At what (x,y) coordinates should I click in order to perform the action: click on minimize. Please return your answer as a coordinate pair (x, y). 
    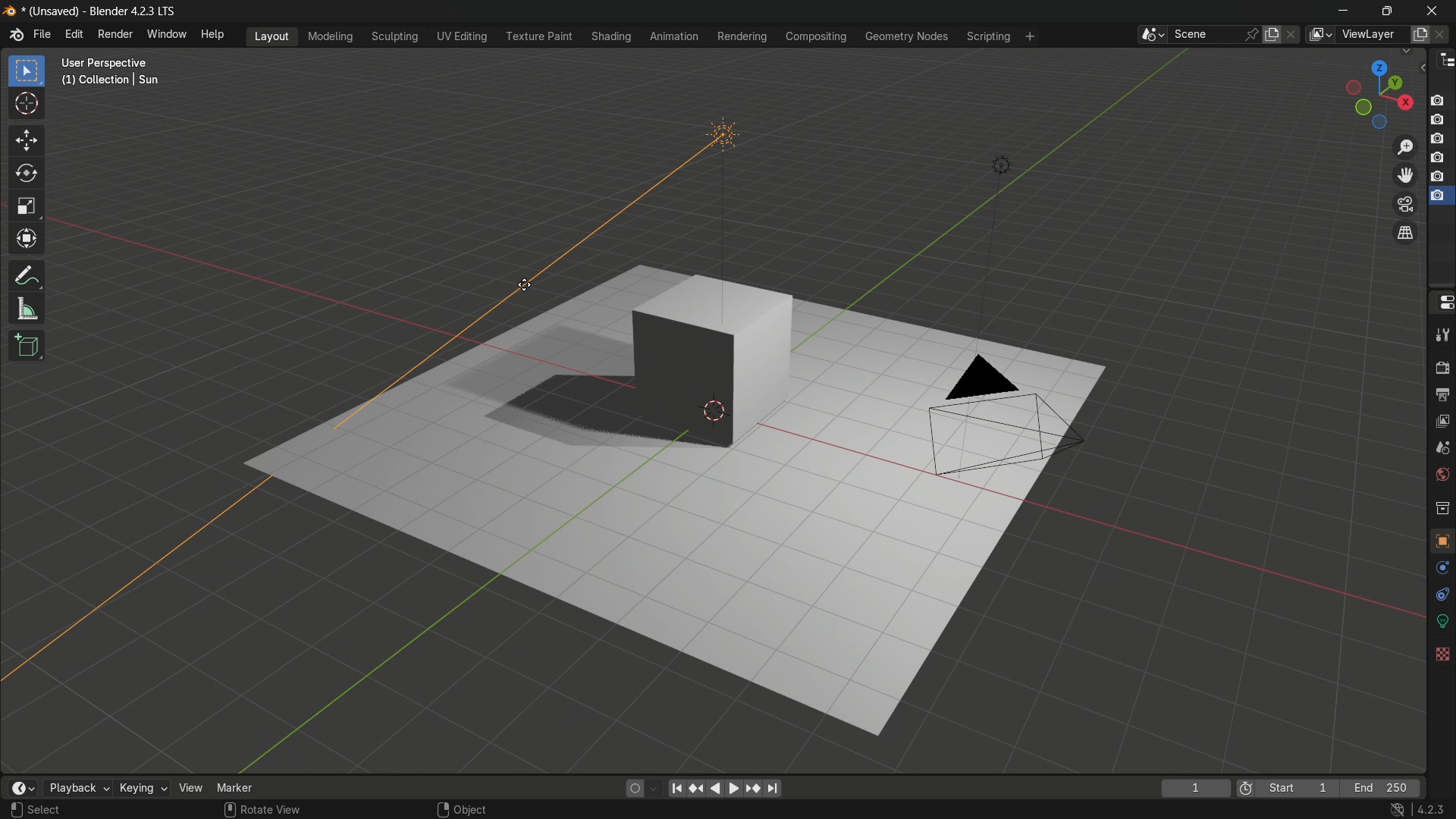
    Looking at the image, I should click on (1343, 9).